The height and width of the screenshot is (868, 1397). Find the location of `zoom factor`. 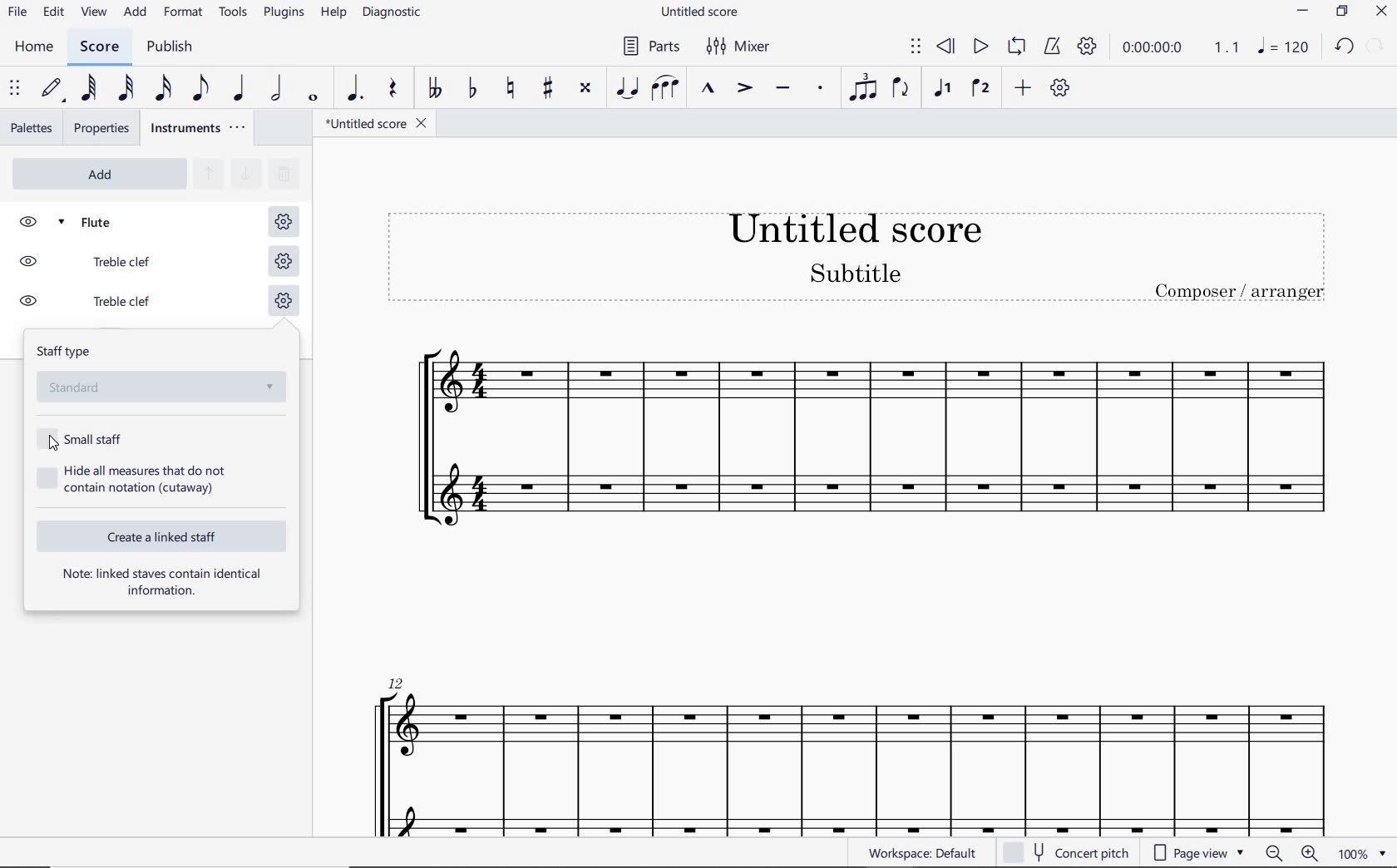

zoom factor is located at coordinates (1360, 854).